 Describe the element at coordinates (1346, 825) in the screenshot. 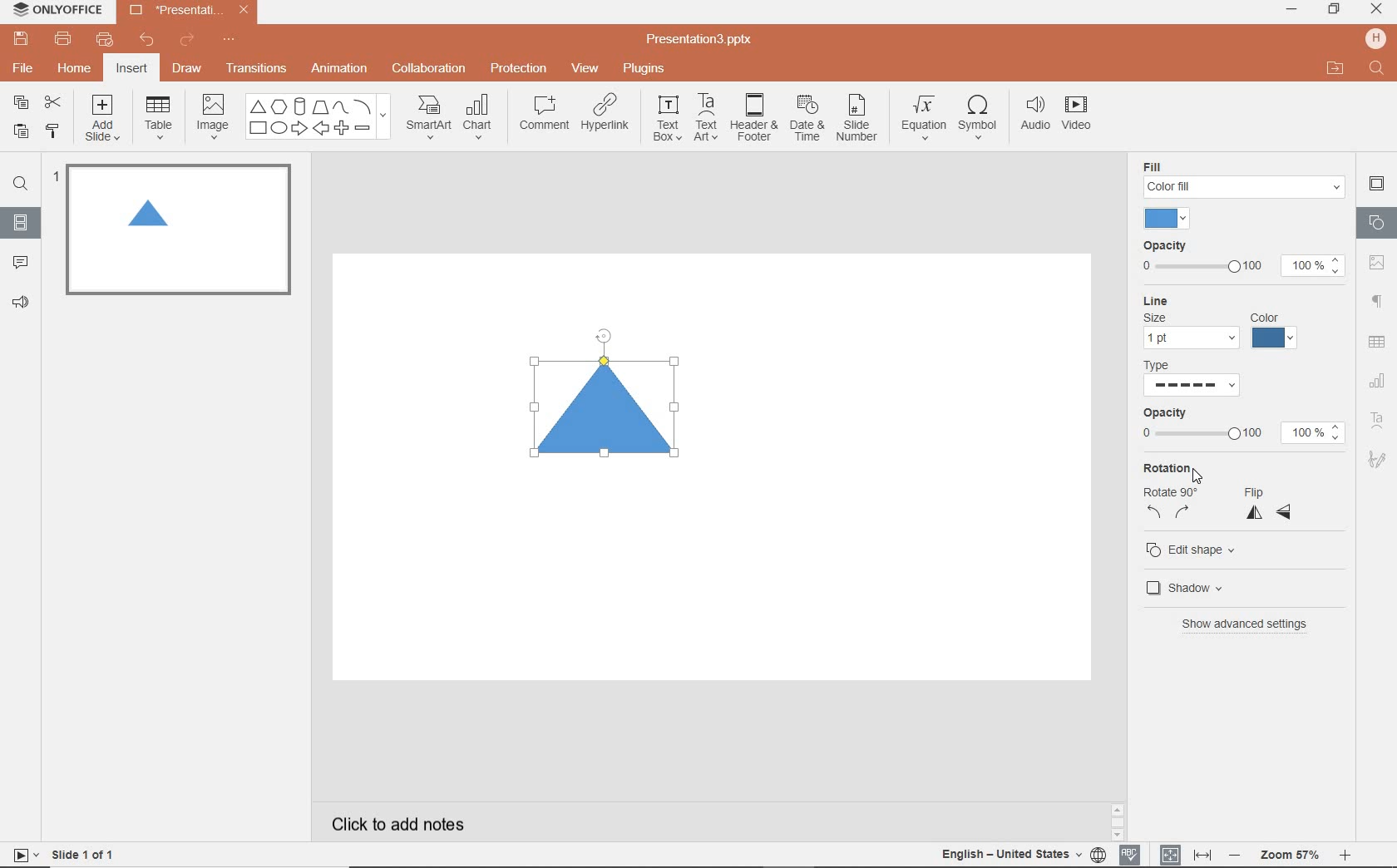

I see `SCROLLBAR` at that location.